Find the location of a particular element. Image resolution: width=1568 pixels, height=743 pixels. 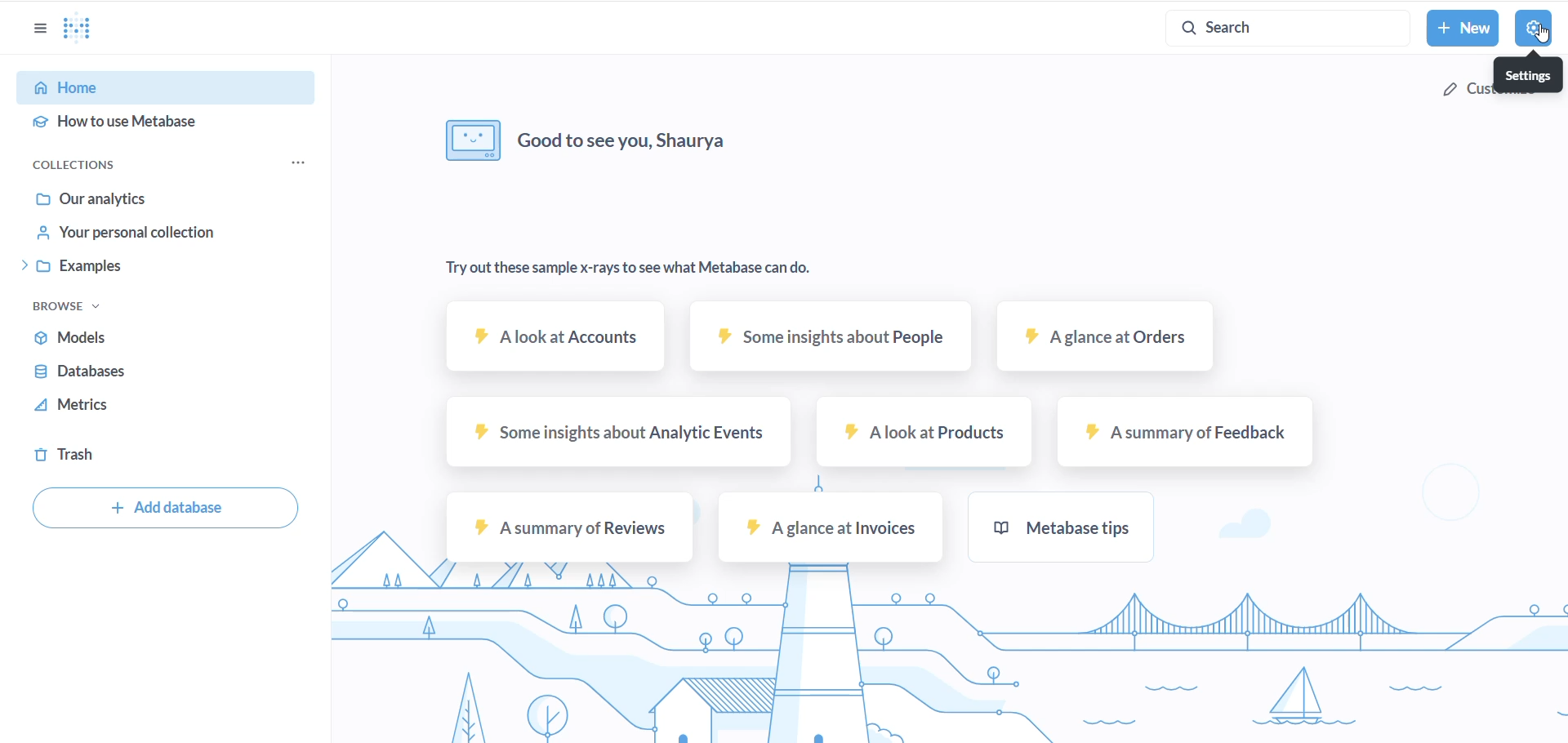

MODELS is located at coordinates (116, 336).